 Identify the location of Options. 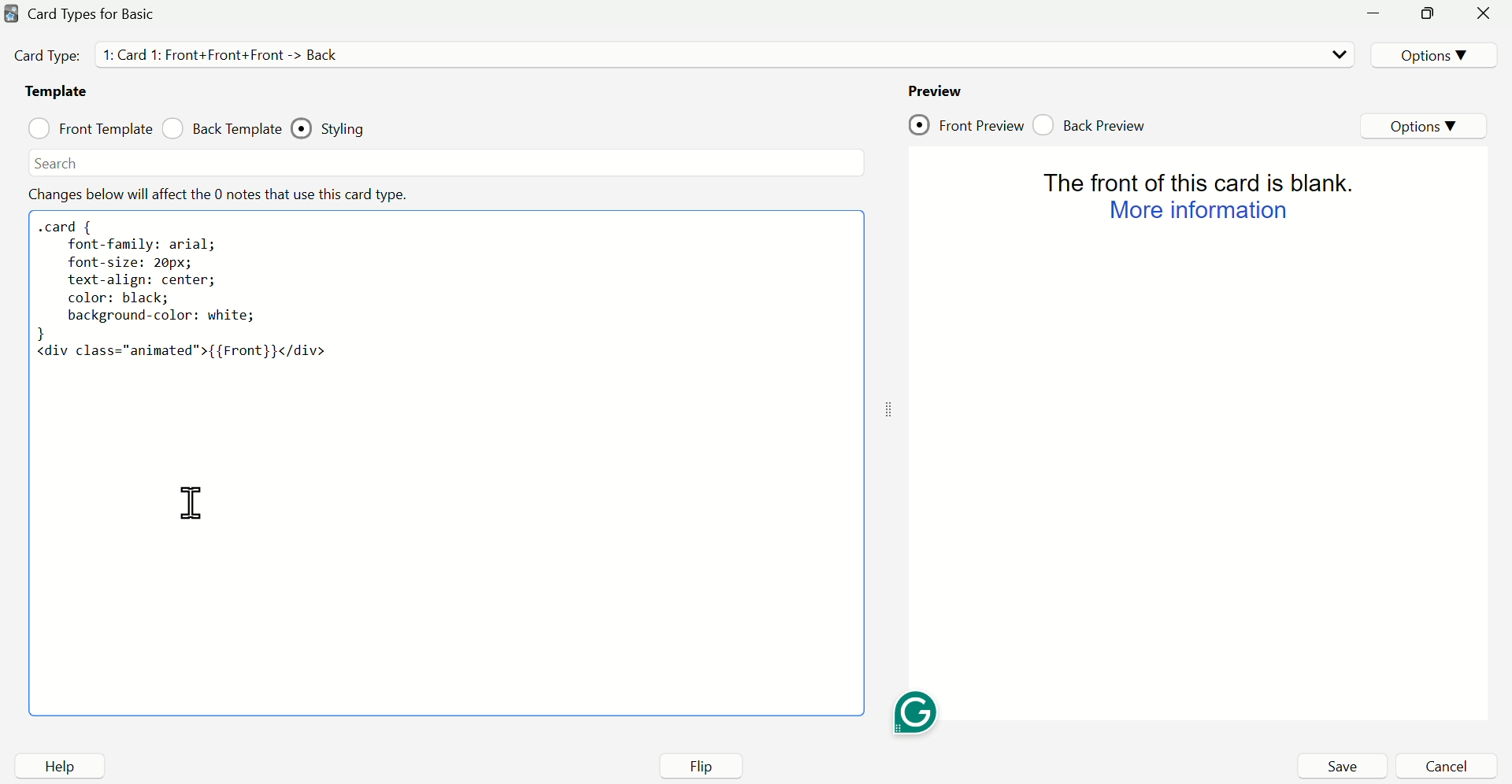
(1430, 53).